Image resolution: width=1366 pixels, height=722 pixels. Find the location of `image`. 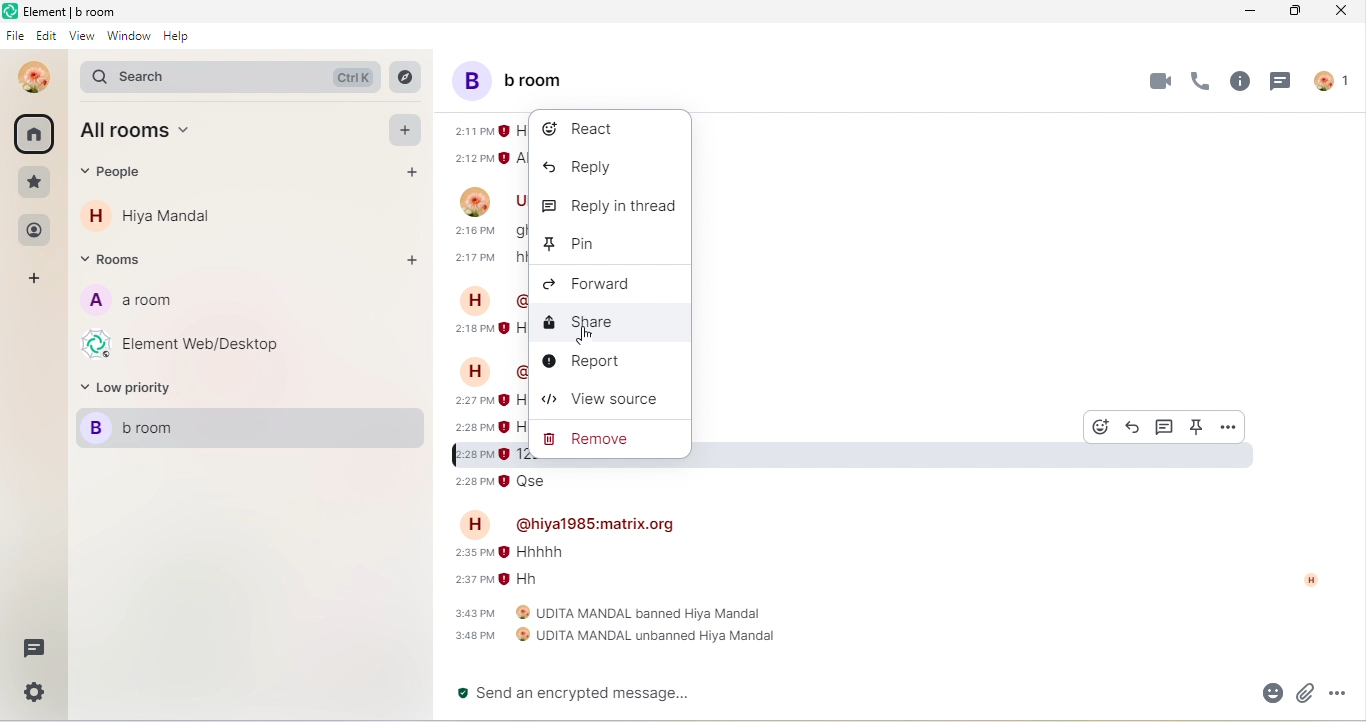

image is located at coordinates (471, 200).